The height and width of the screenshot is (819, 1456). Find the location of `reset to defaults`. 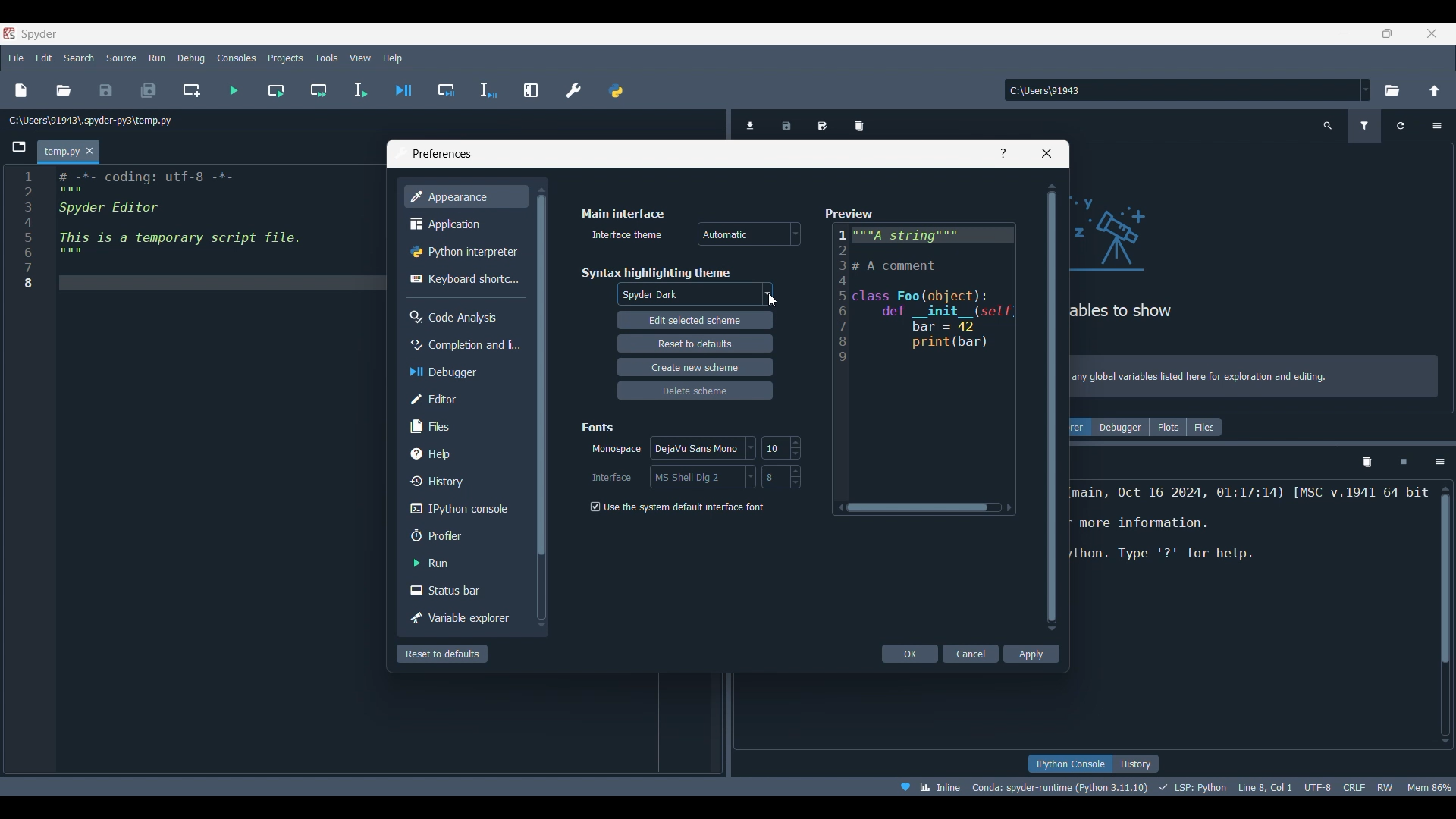

reset to defaults is located at coordinates (694, 343).